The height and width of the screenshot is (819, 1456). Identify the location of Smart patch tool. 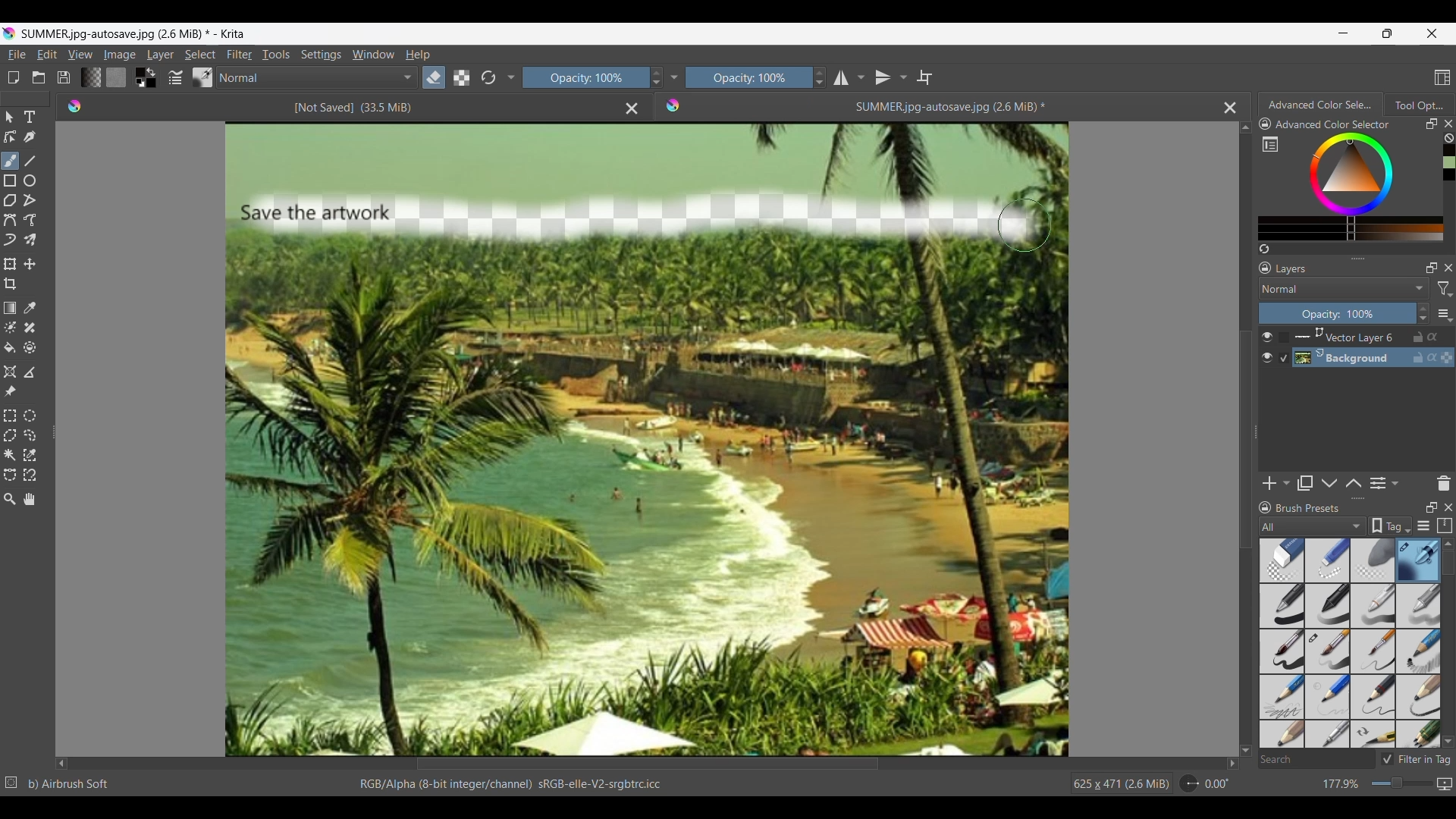
(30, 328).